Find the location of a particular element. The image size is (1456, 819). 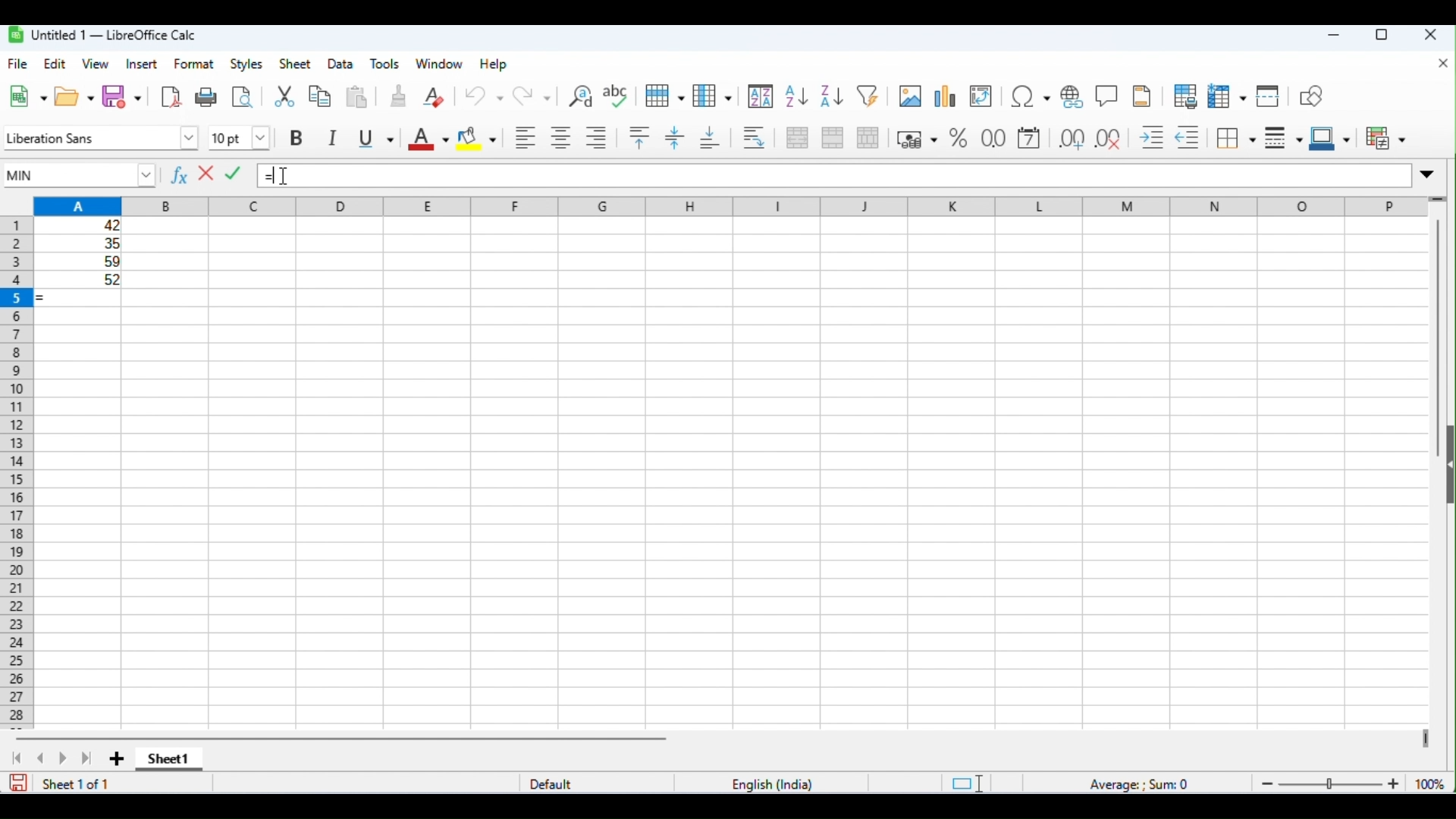

align left is located at coordinates (523, 137).